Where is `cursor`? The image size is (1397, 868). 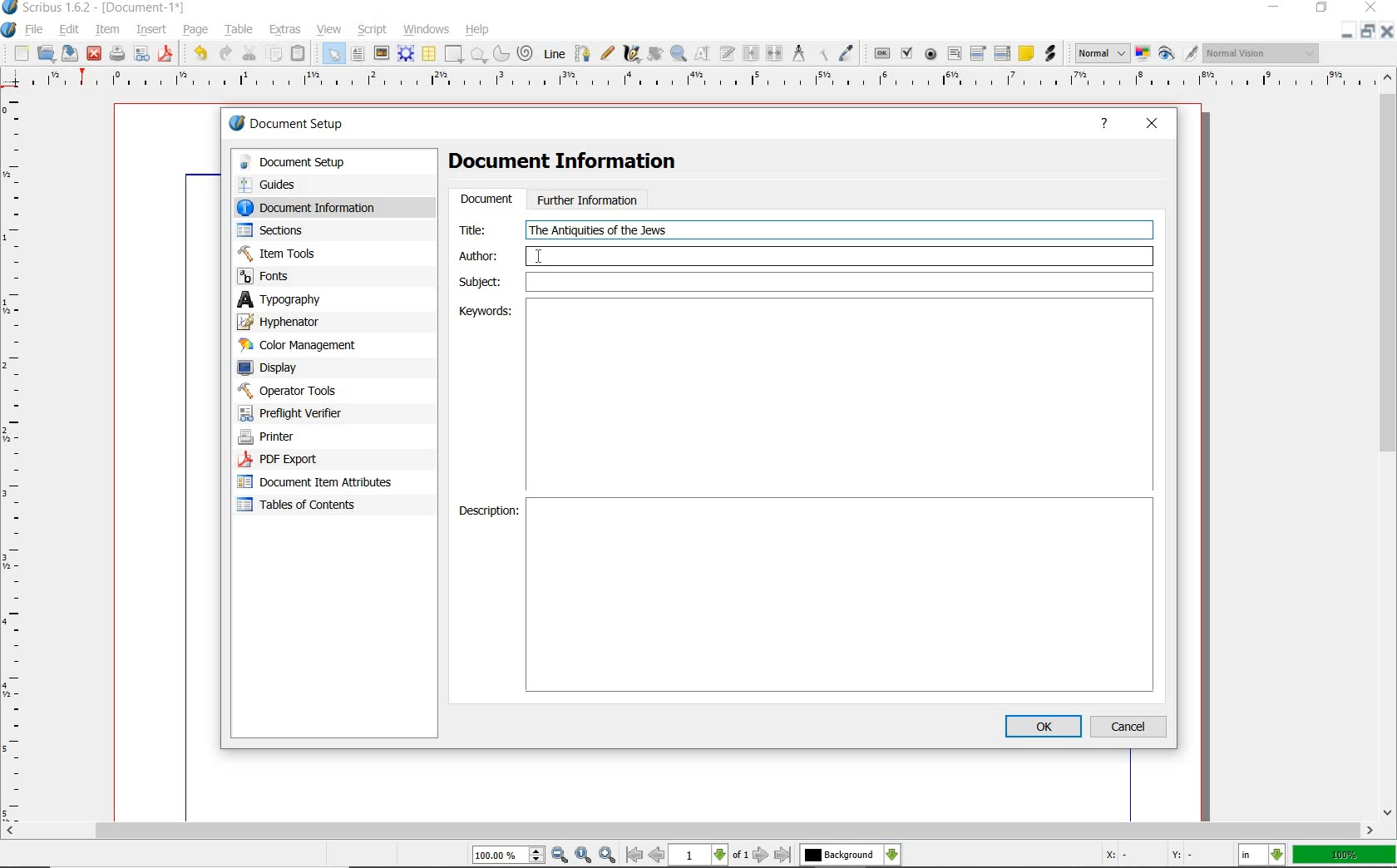 cursor is located at coordinates (537, 257).